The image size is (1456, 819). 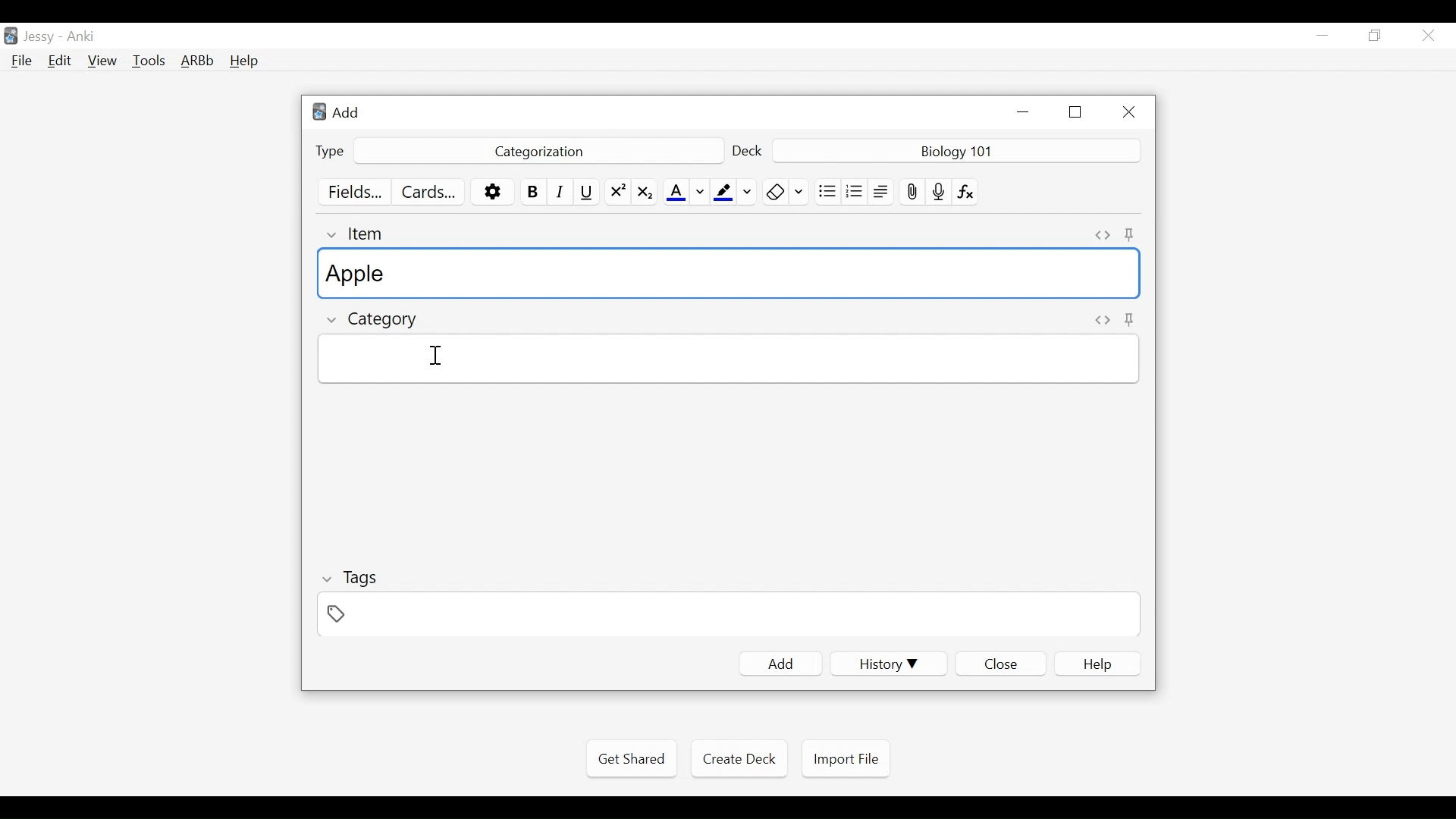 I want to click on Create Deck, so click(x=736, y=758).